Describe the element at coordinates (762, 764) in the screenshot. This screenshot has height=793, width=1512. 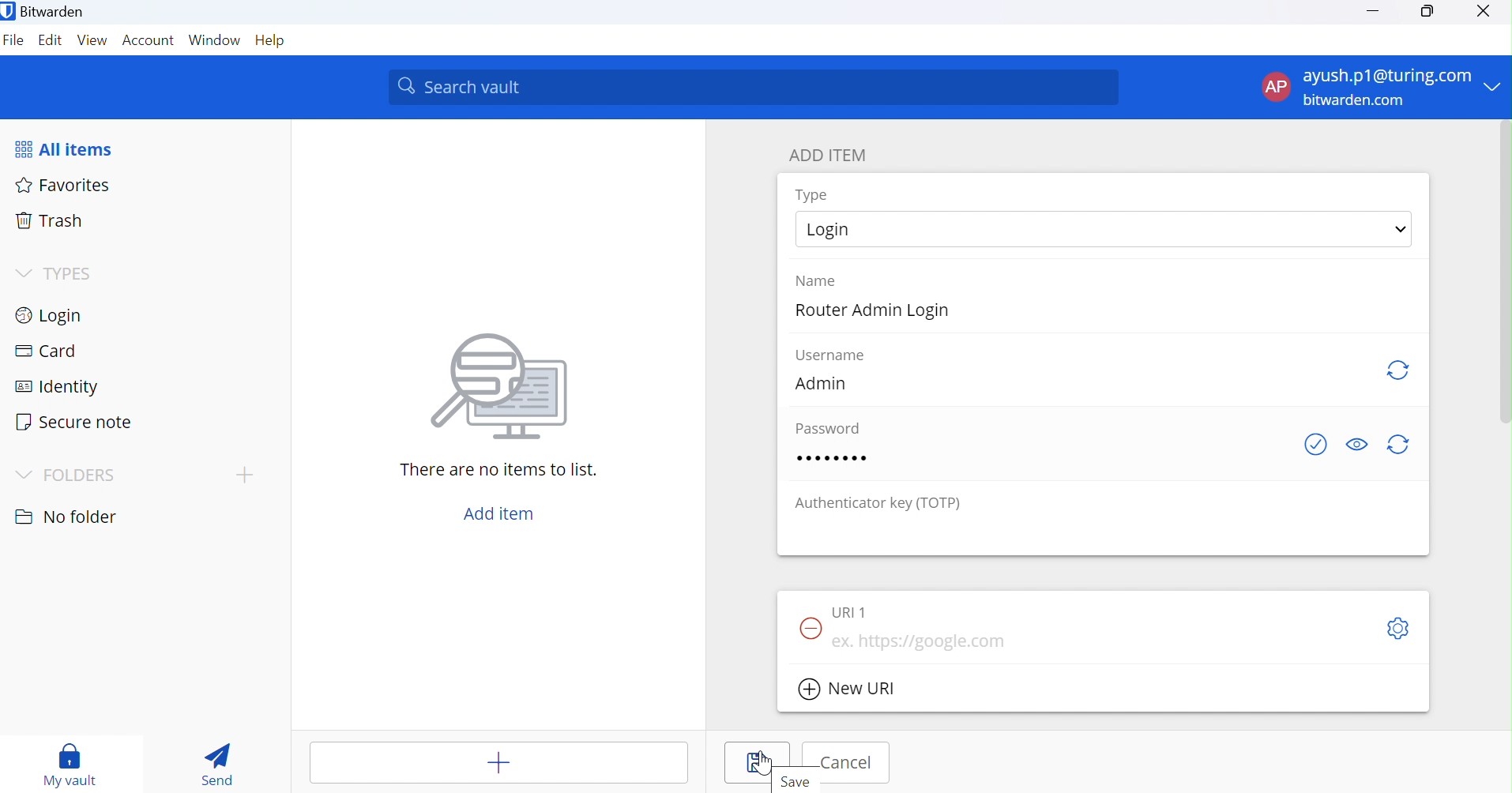
I see `Cursor` at that location.